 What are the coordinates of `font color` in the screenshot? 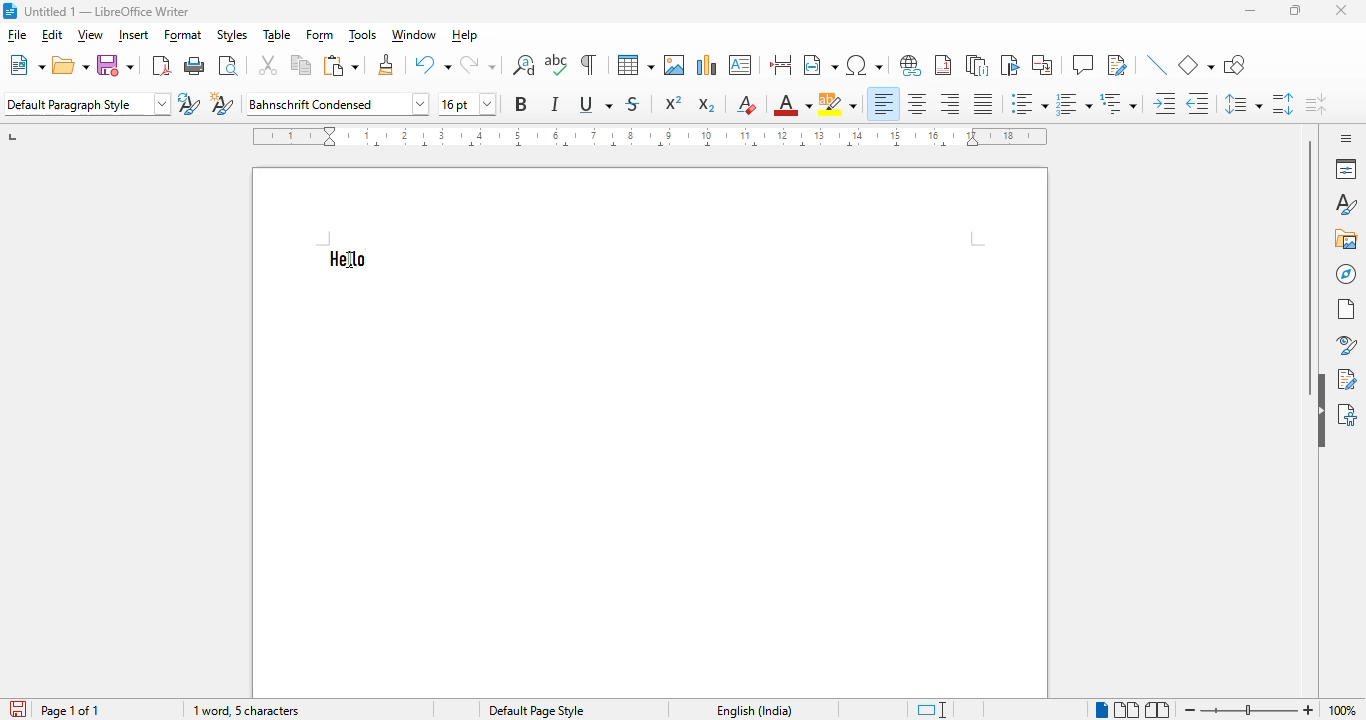 It's located at (793, 104).